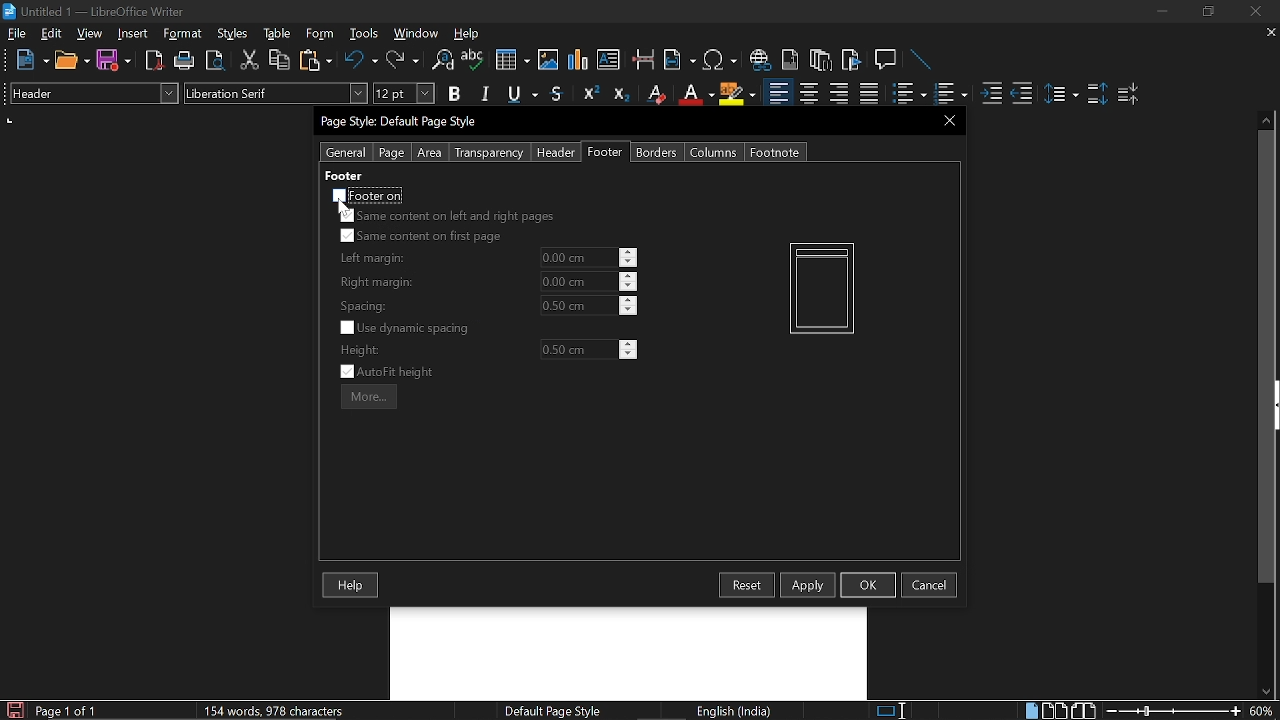  I want to click on Text style, so click(277, 93).